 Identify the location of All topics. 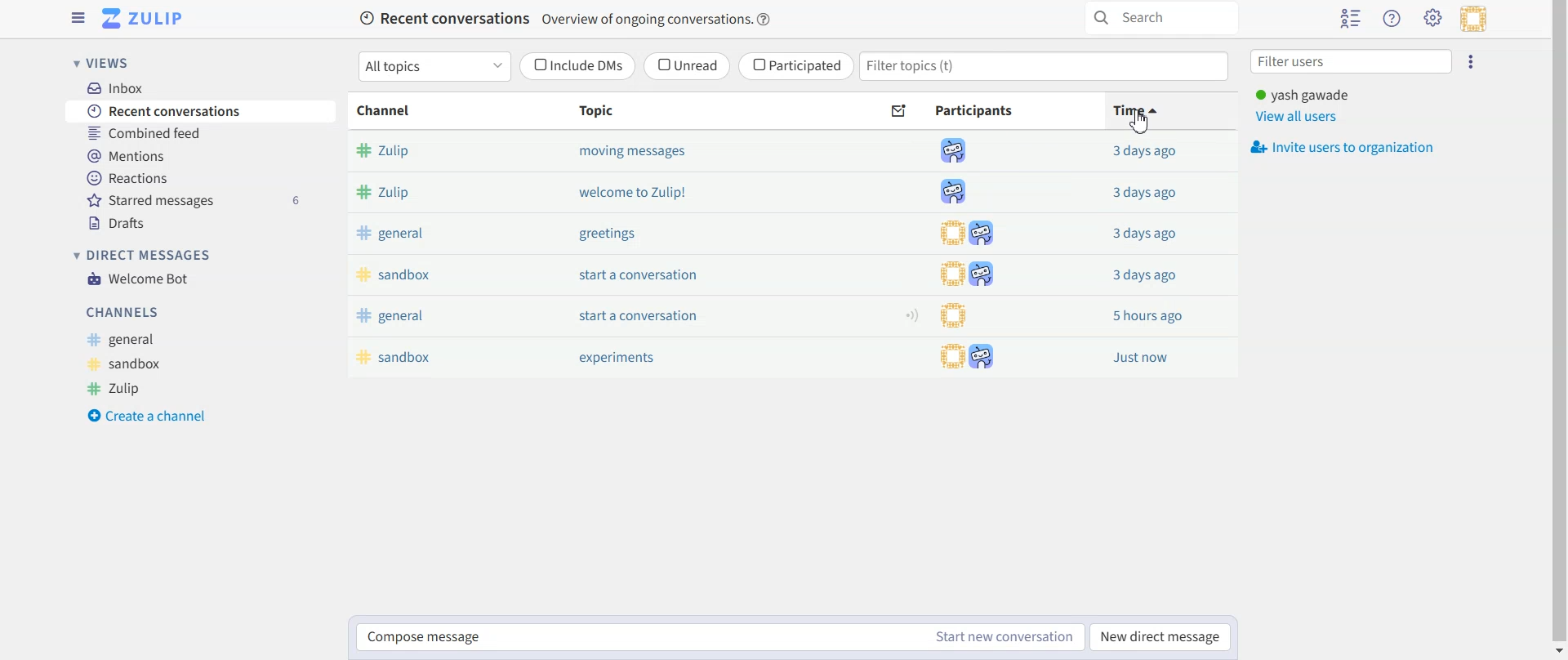
(434, 66).